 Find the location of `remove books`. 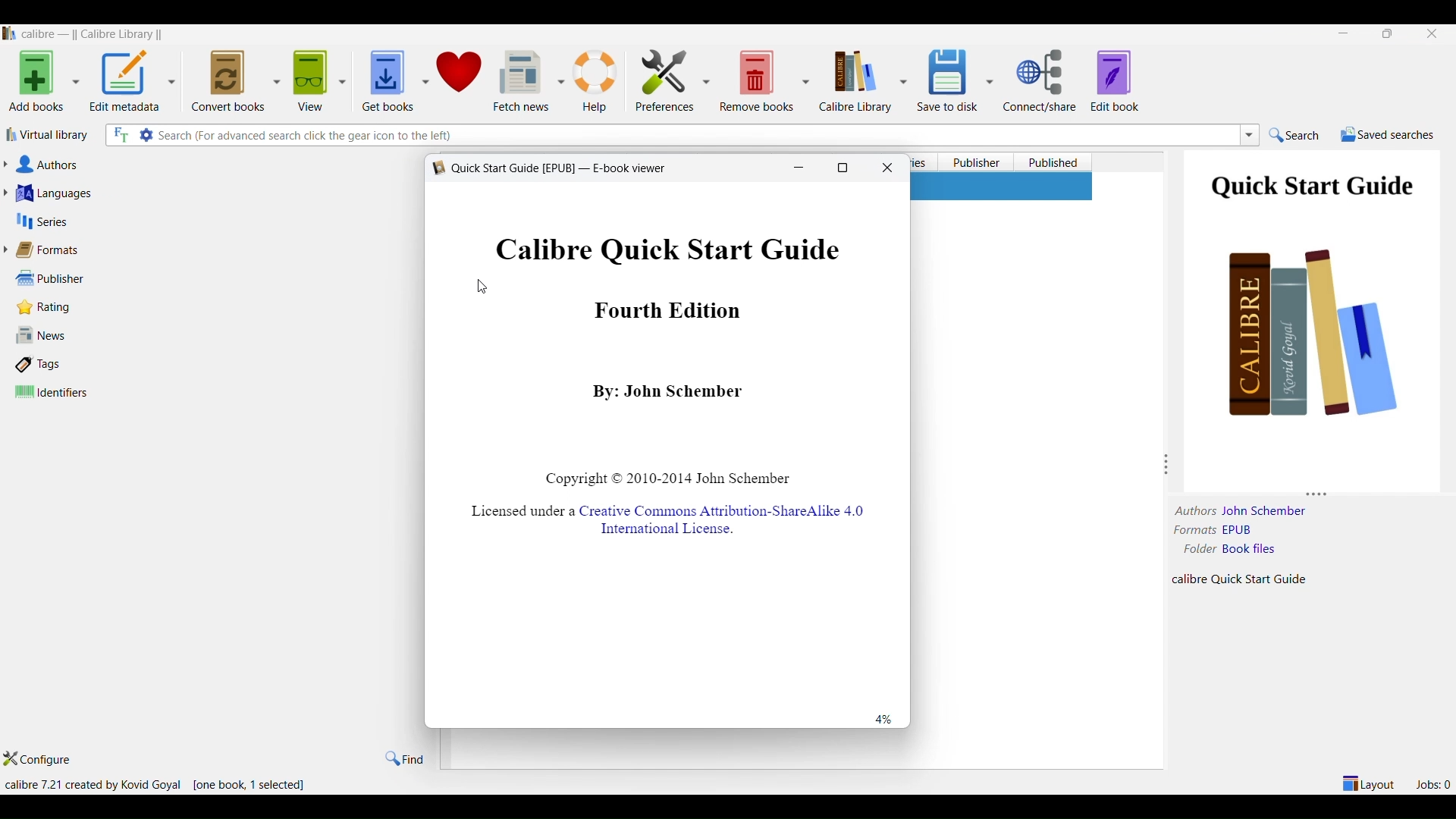

remove books is located at coordinates (755, 81).